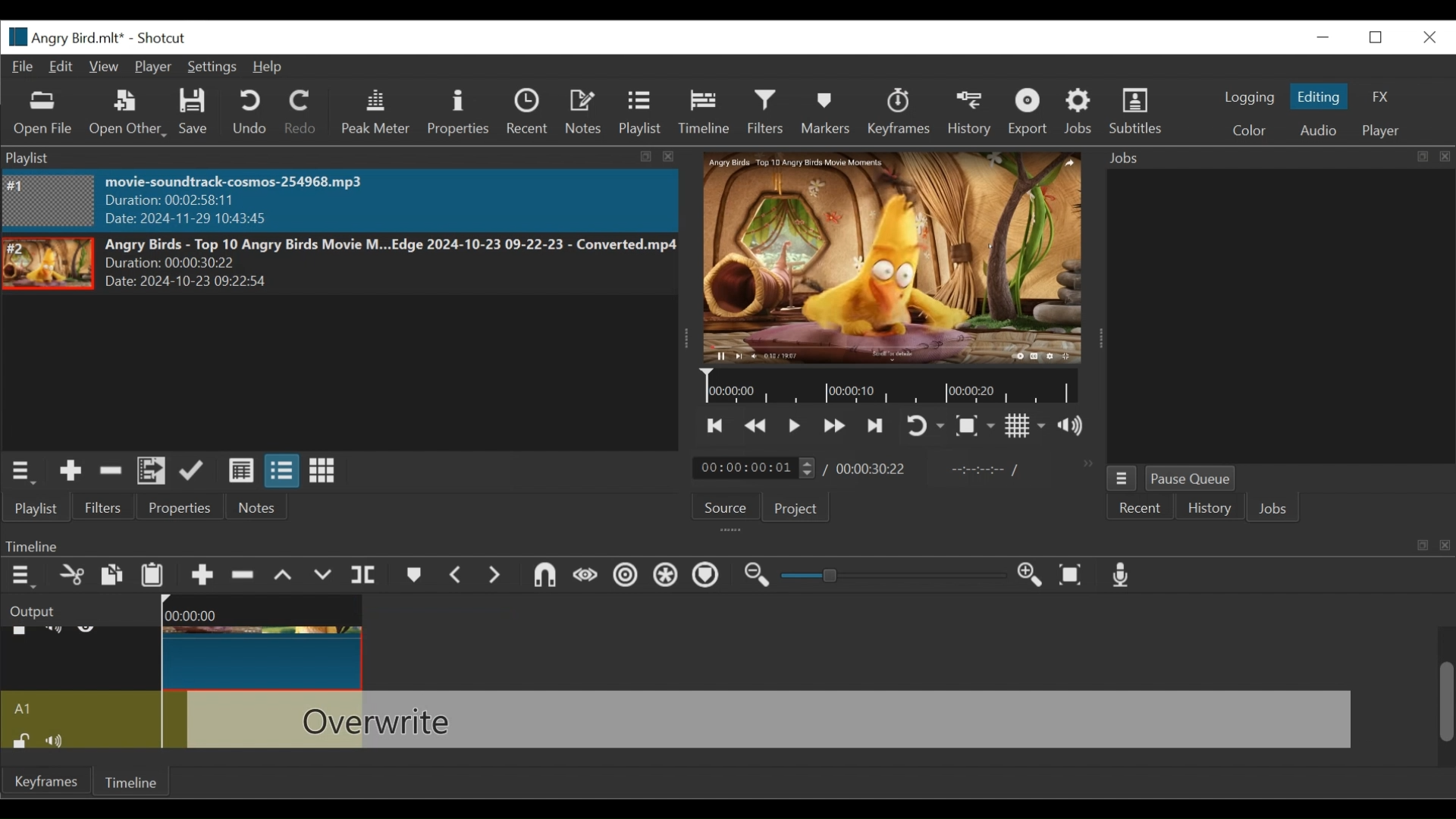 The image size is (1456, 819). Describe the element at coordinates (266, 67) in the screenshot. I see `Help` at that location.